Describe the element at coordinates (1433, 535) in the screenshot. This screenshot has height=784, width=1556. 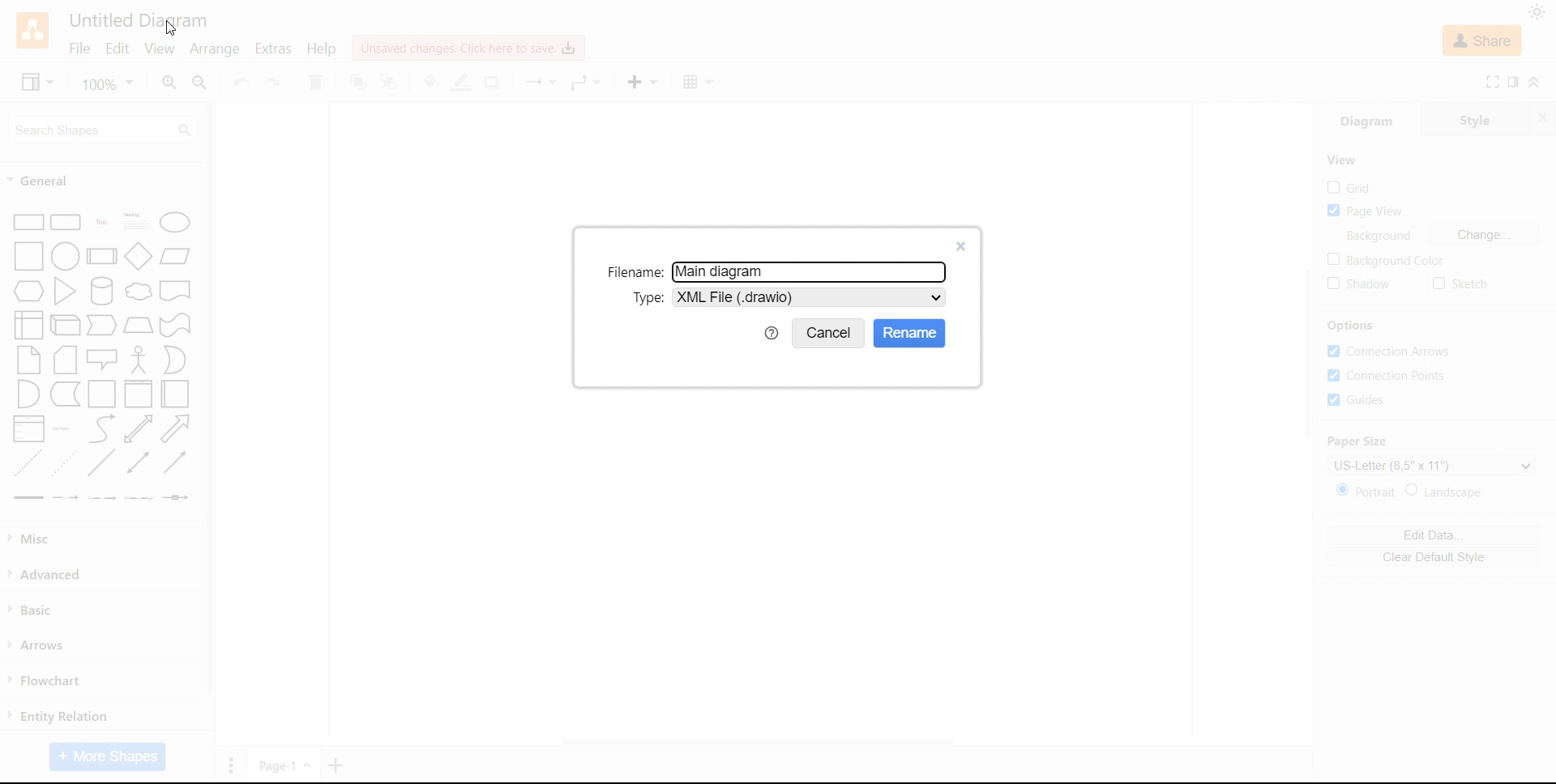
I see `Edit data ` at that location.